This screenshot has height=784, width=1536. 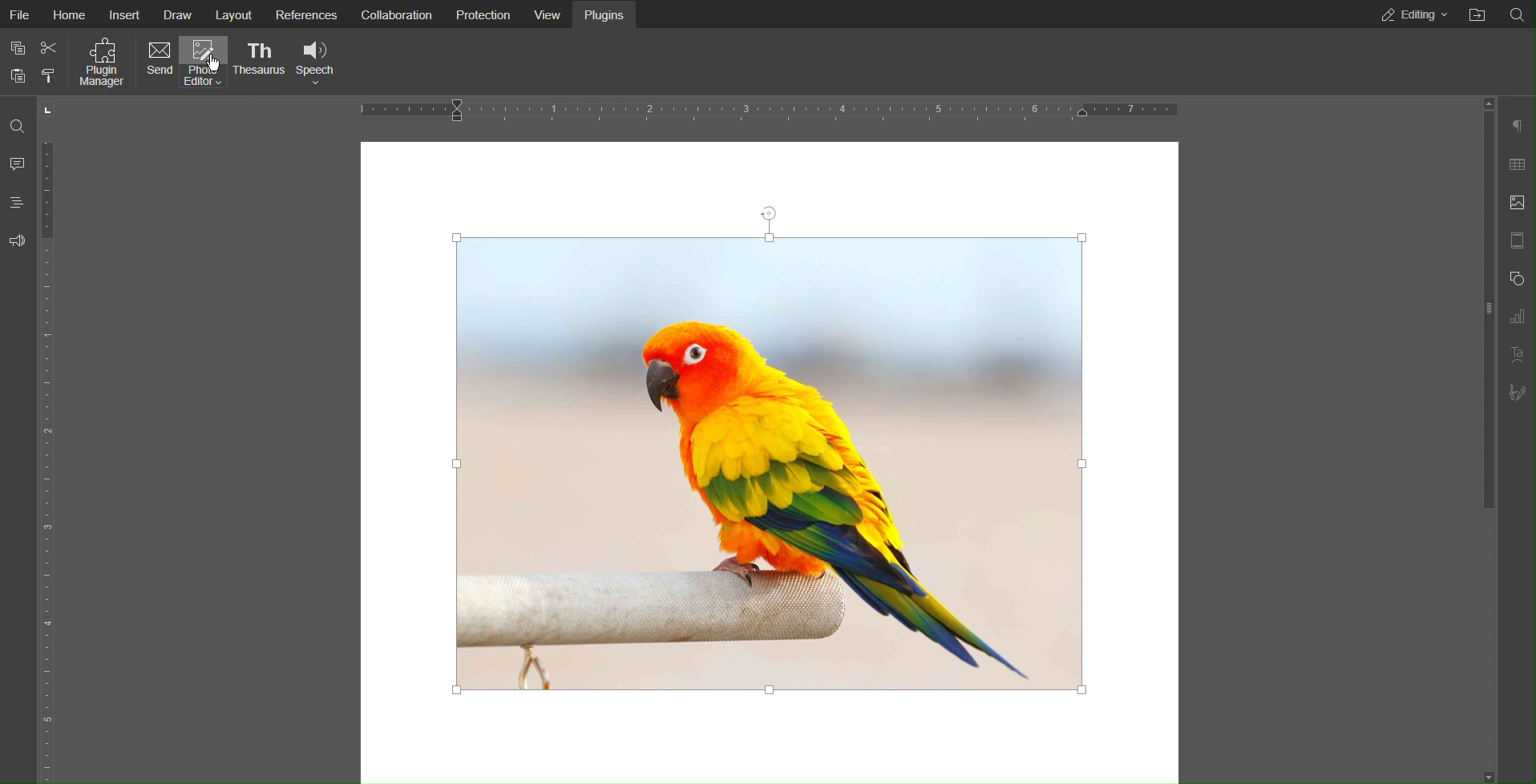 I want to click on Selected Image, so click(x=774, y=449).